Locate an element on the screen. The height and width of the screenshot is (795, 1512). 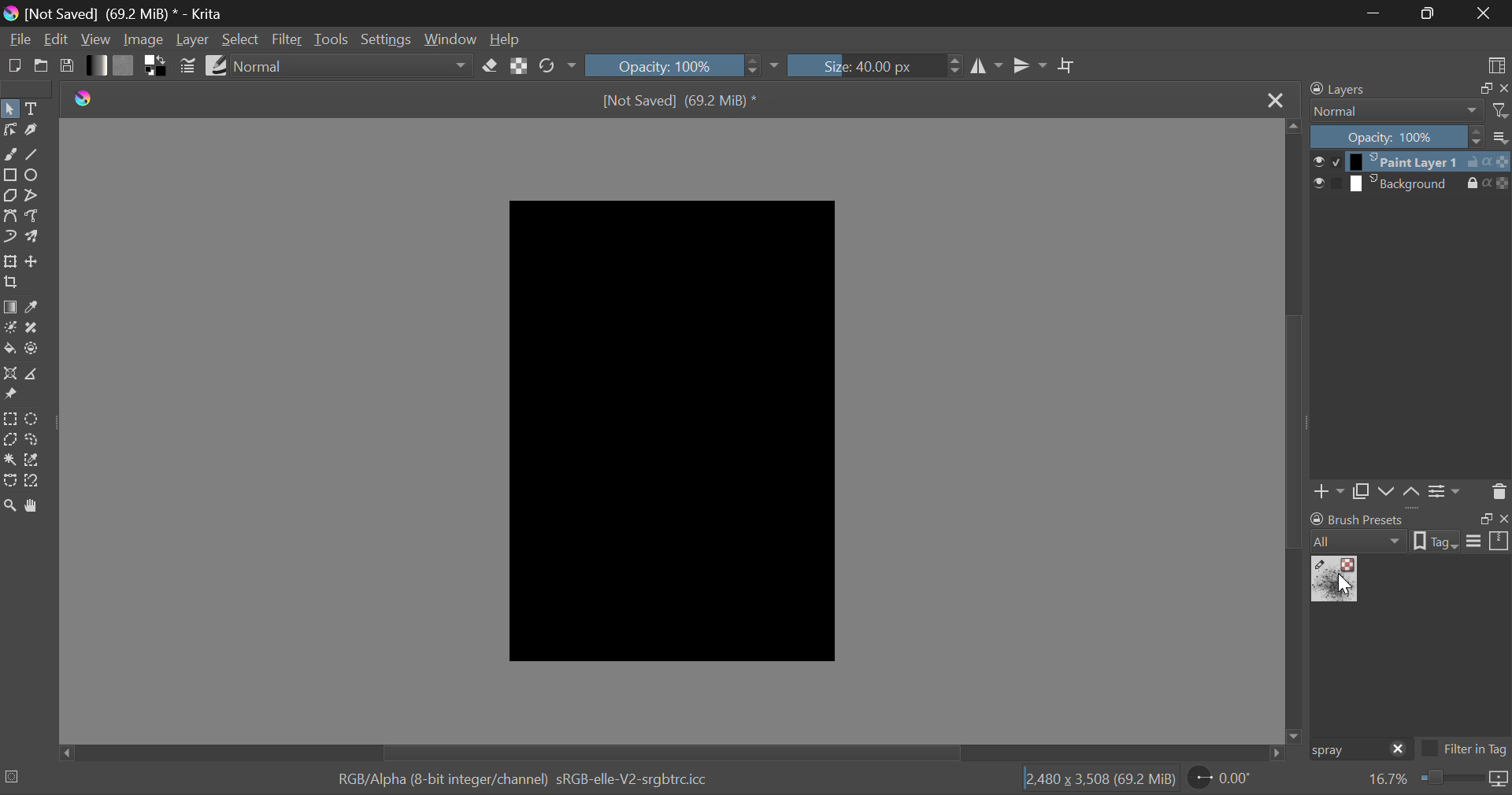
Pan is located at coordinates (35, 507).